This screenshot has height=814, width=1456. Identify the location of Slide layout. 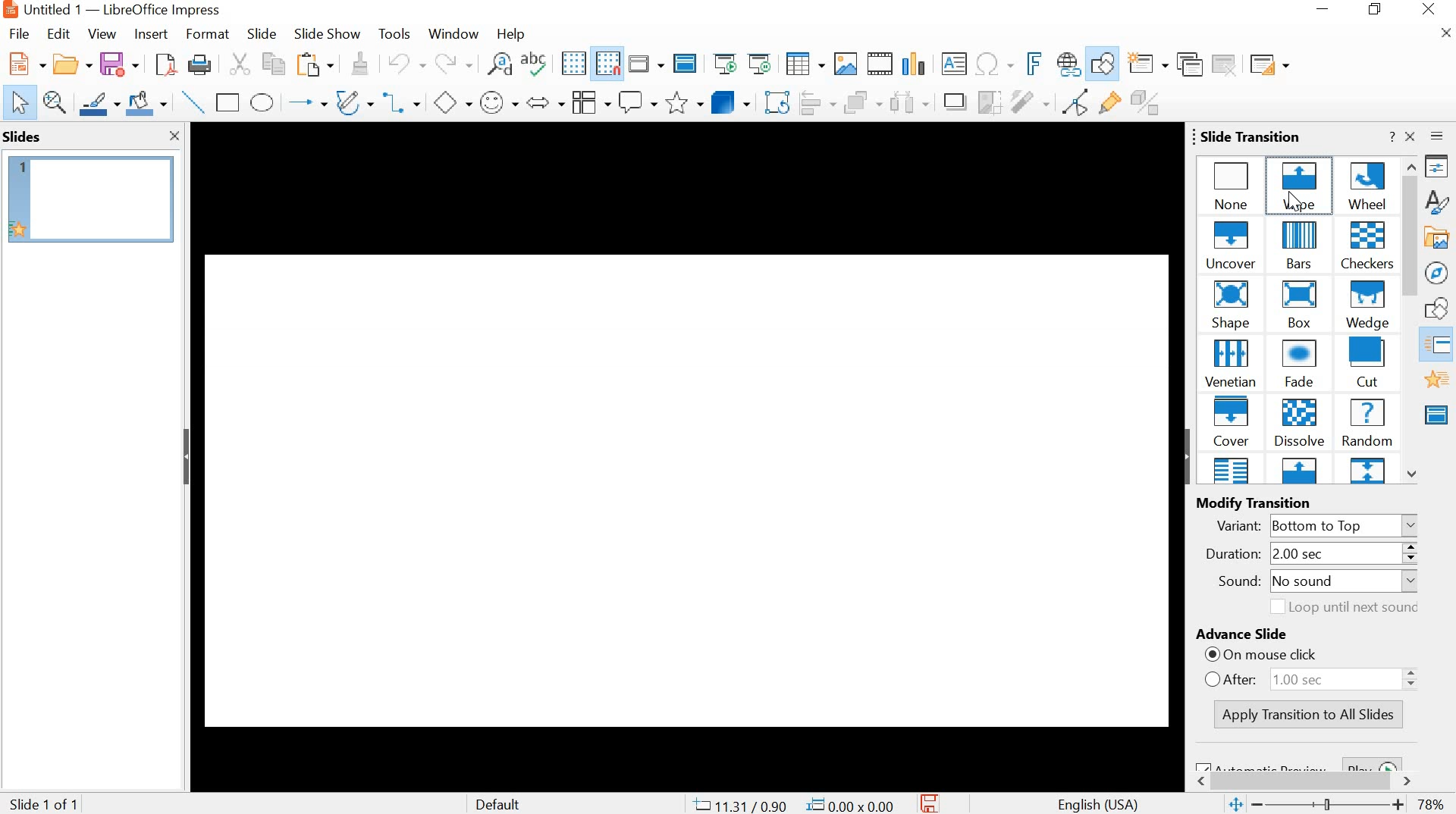
(1269, 61).